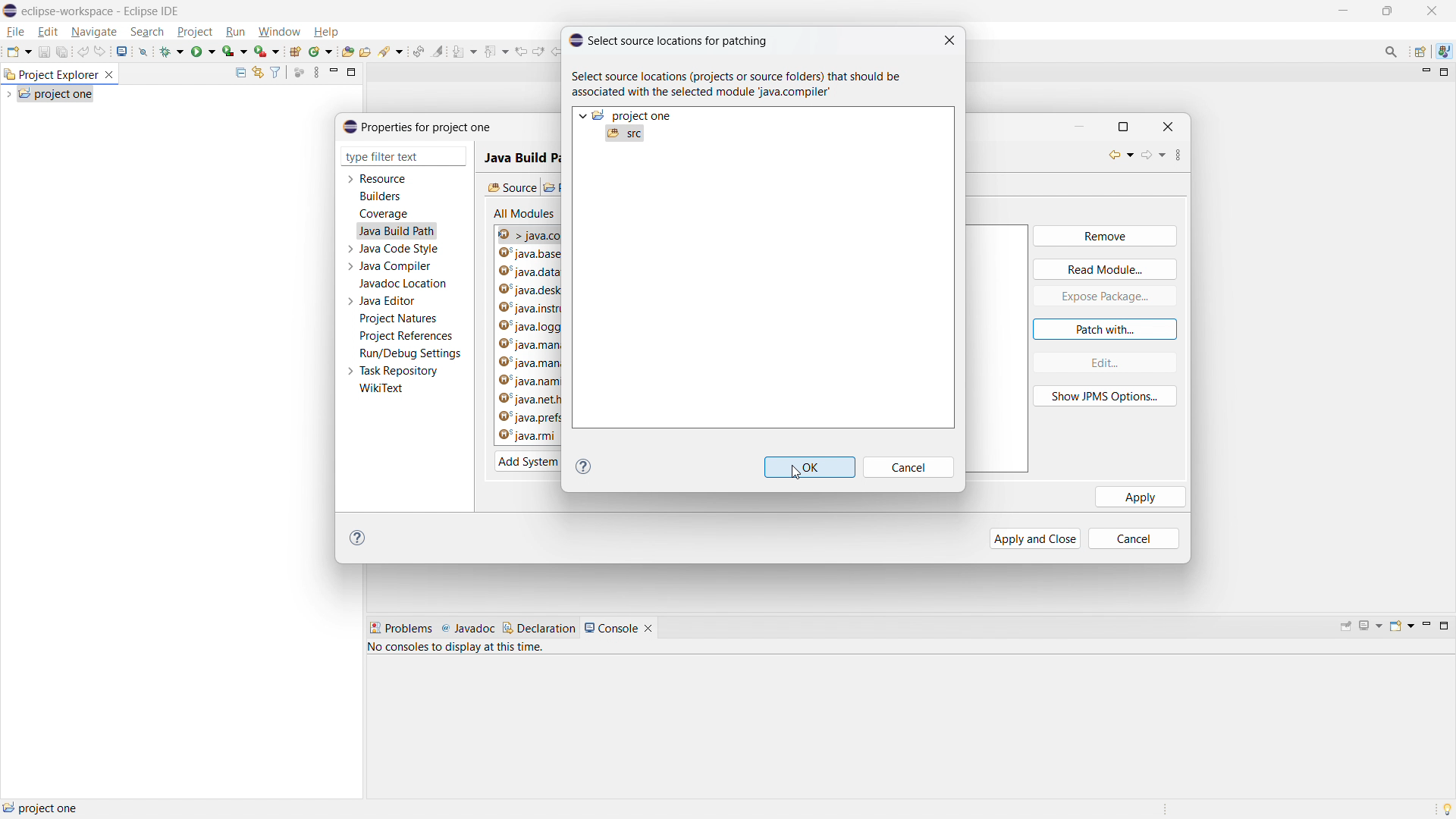 The image size is (1456, 819). Describe the element at coordinates (1186, 155) in the screenshot. I see `view menu` at that location.